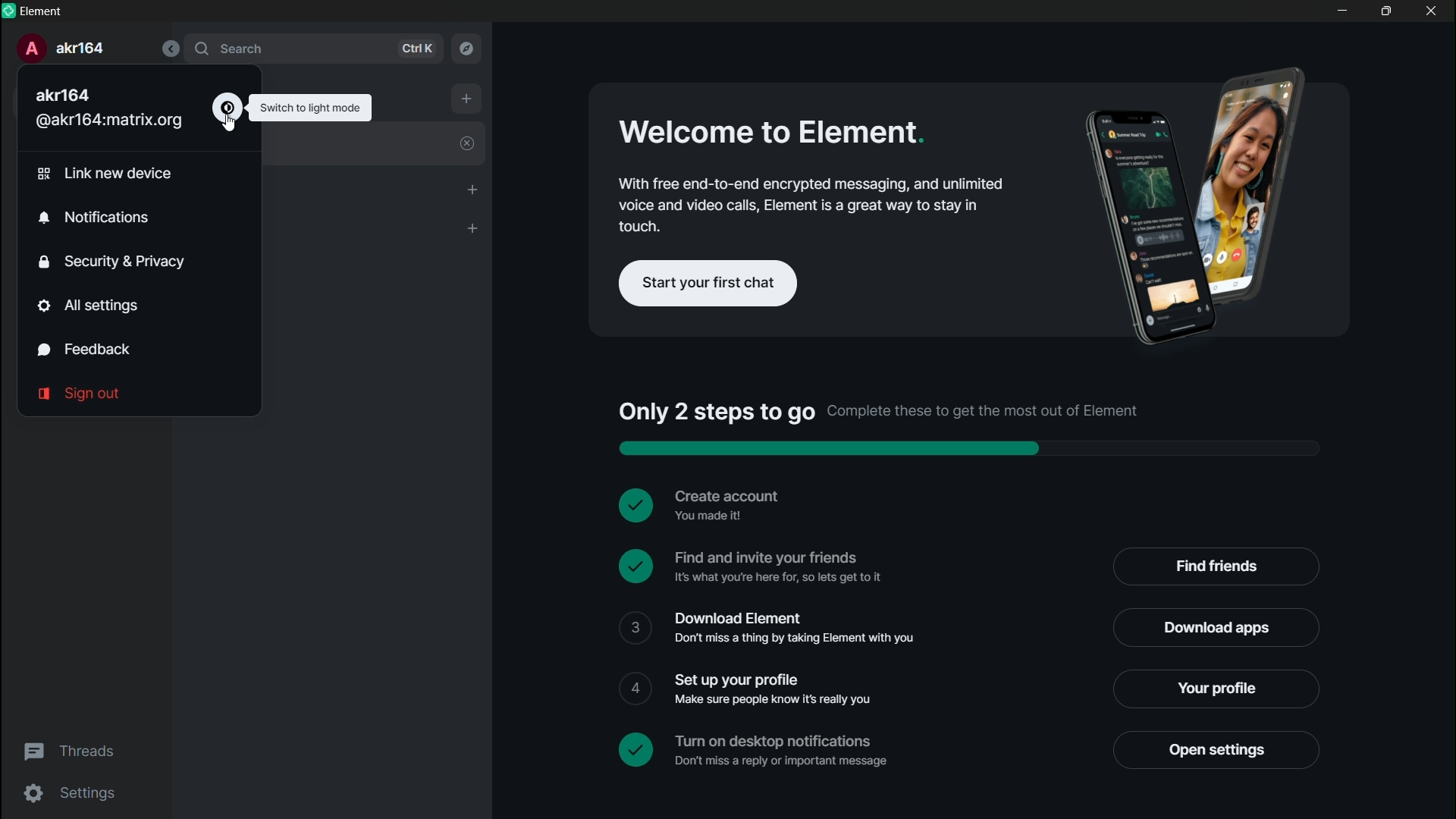 Image resolution: width=1456 pixels, height=819 pixels. Describe the element at coordinates (64, 96) in the screenshot. I see `Akr164` at that location.